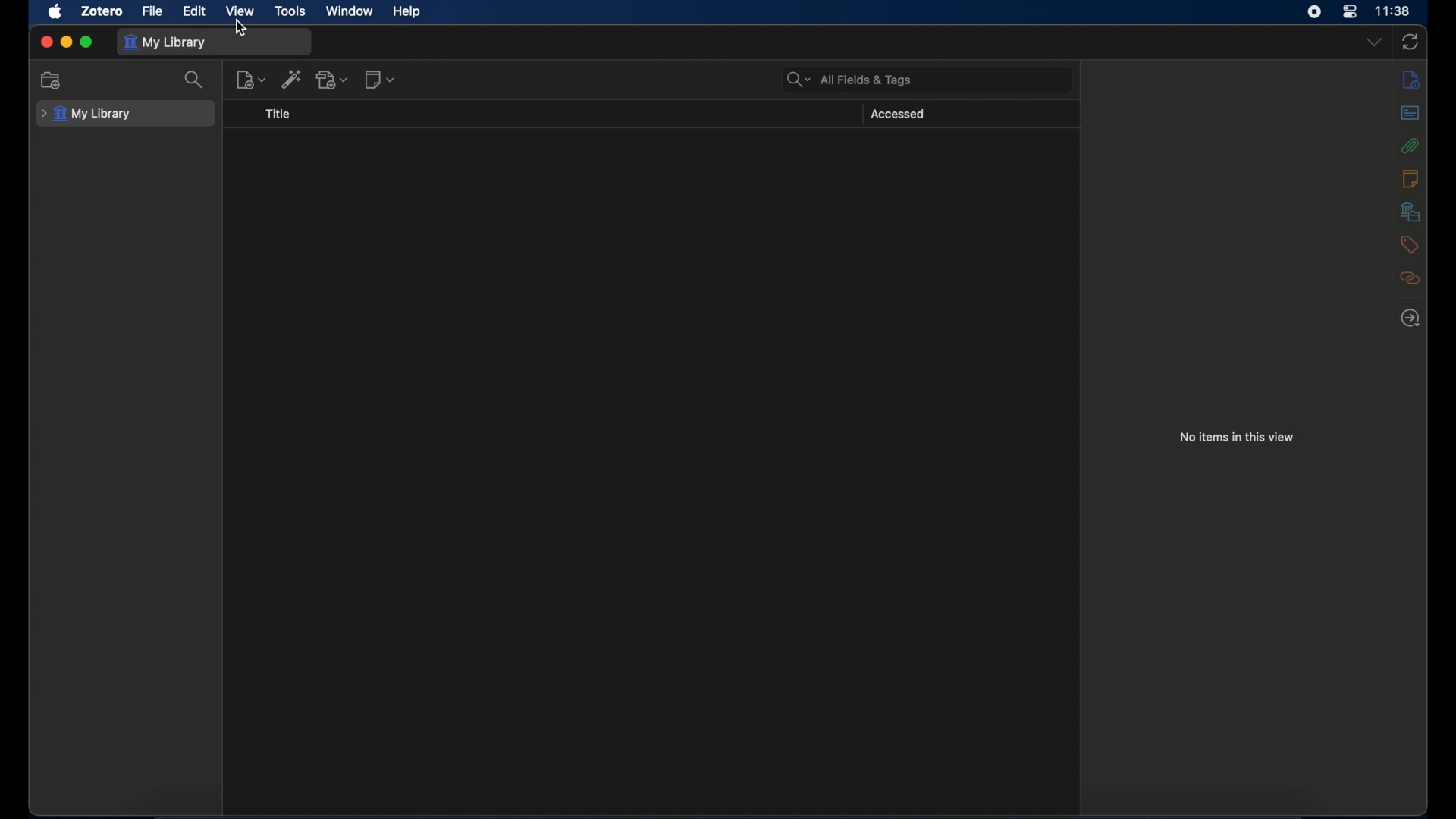 The image size is (1456, 819). I want to click on dropdown, so click(1373, 42).